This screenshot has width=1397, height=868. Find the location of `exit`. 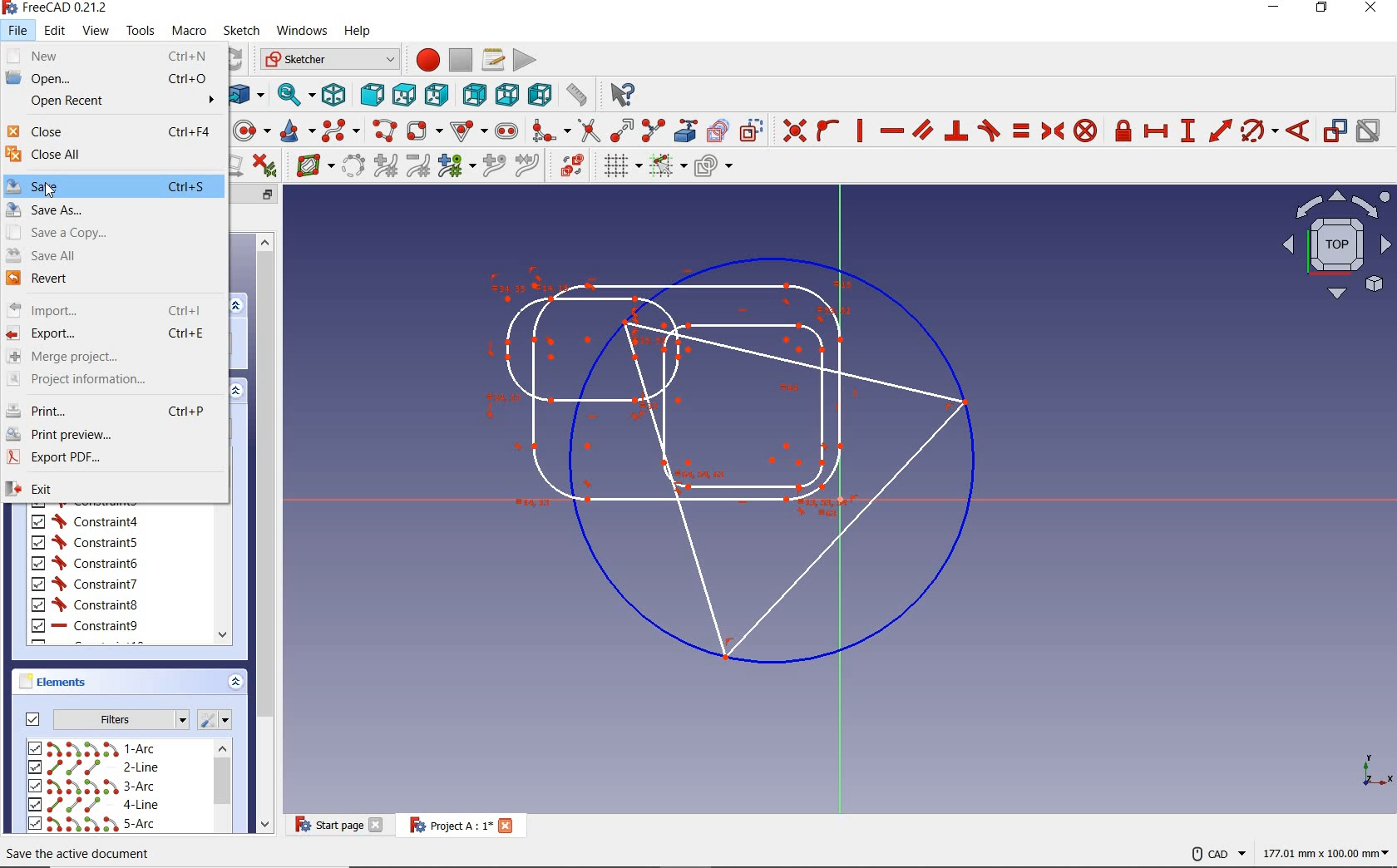

exit is located at coordinates (115, 489).